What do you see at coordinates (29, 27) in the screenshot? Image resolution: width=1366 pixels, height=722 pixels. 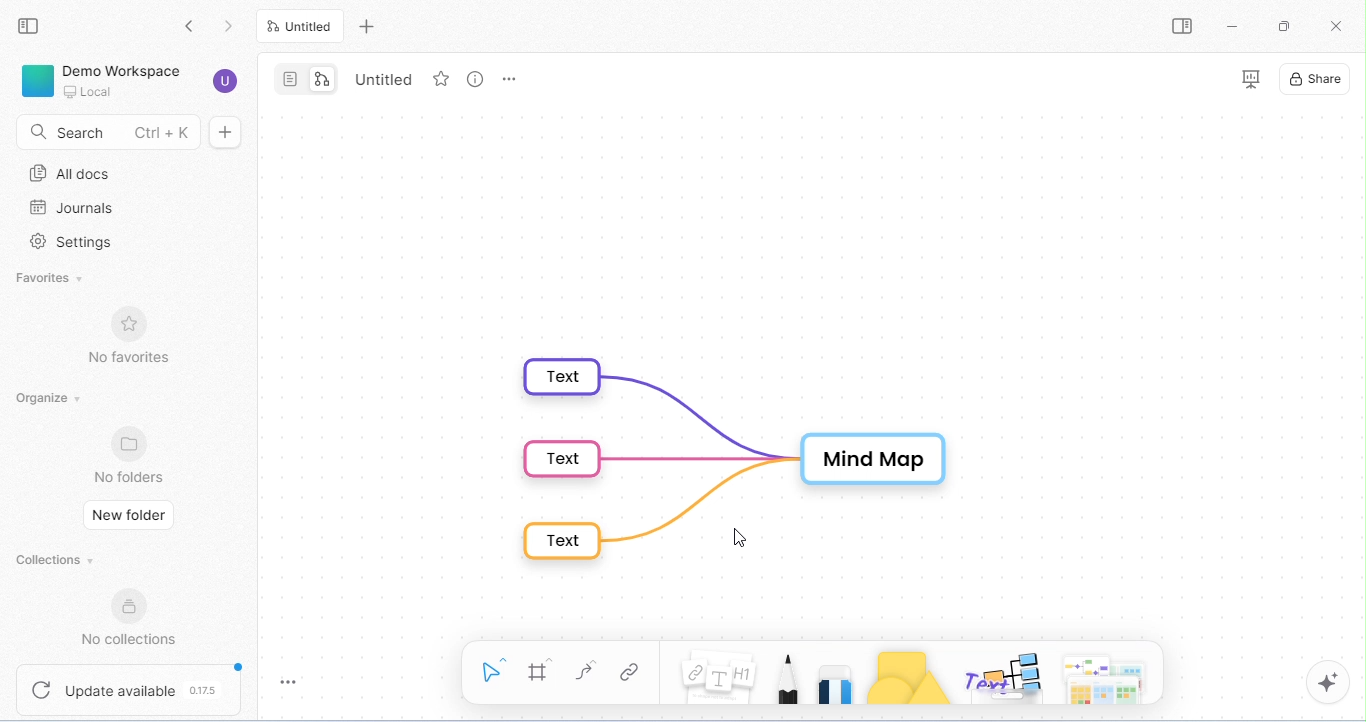 I see `close sidebar` at bounding box center [29, 27].